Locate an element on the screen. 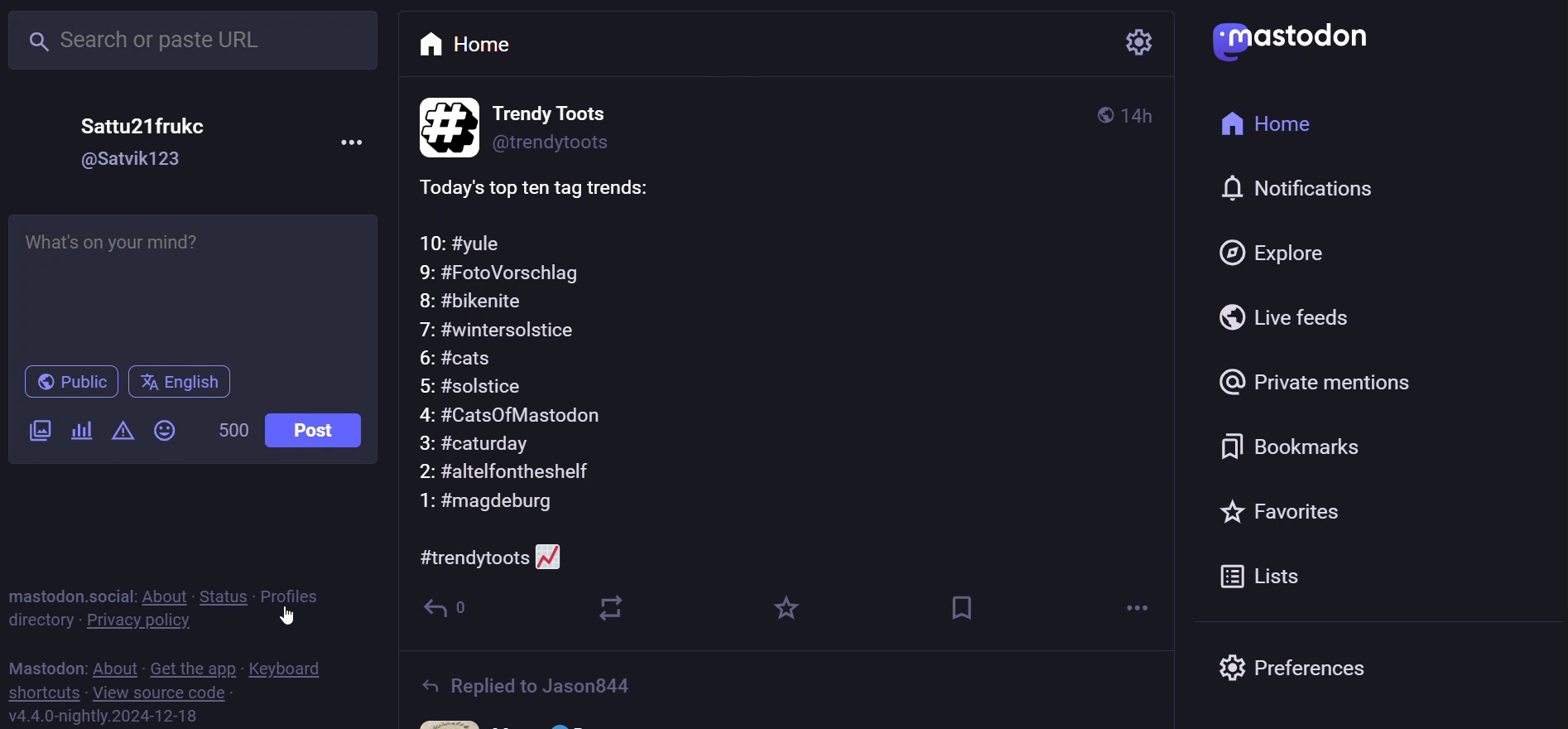 This screenshot has height=729, width=1568. get the app is located at coordinates (189, 668).